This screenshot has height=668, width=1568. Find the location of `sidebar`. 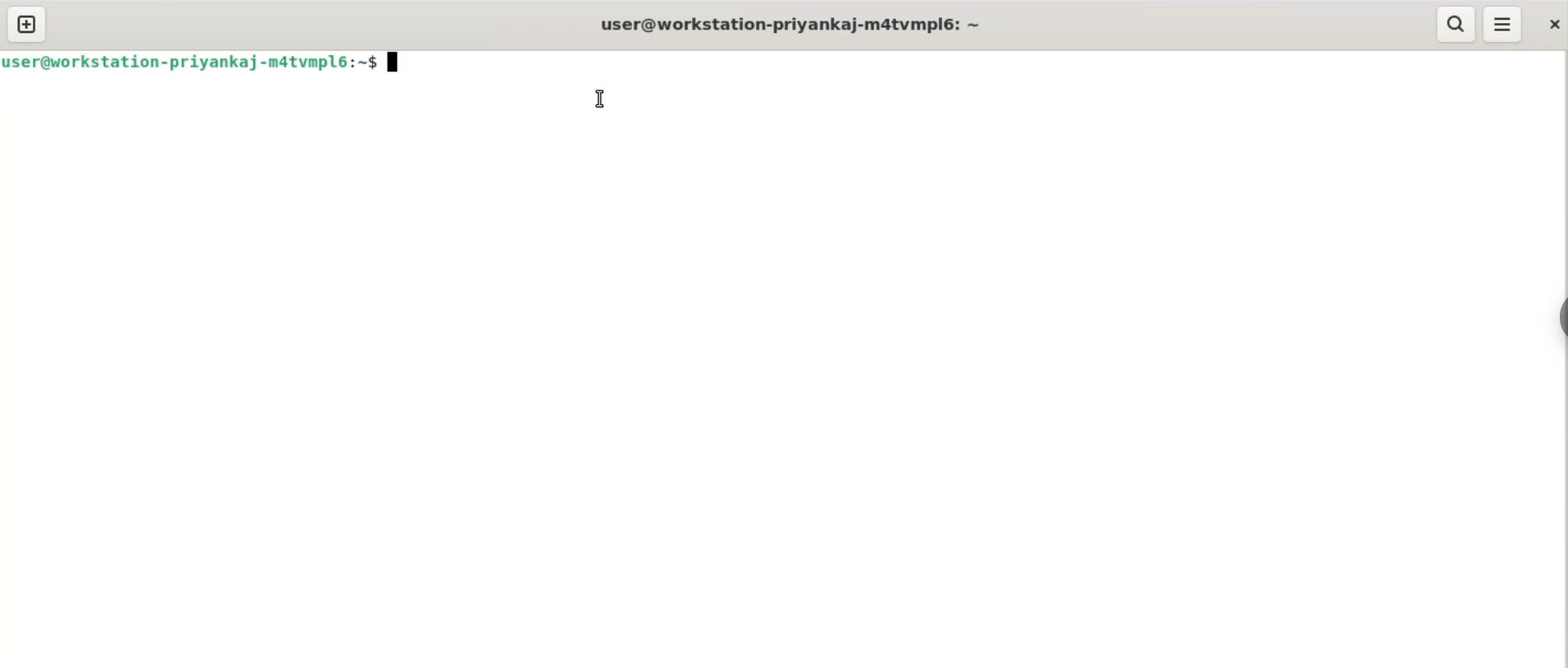

sidebar is located at coordinates (1560, 314).